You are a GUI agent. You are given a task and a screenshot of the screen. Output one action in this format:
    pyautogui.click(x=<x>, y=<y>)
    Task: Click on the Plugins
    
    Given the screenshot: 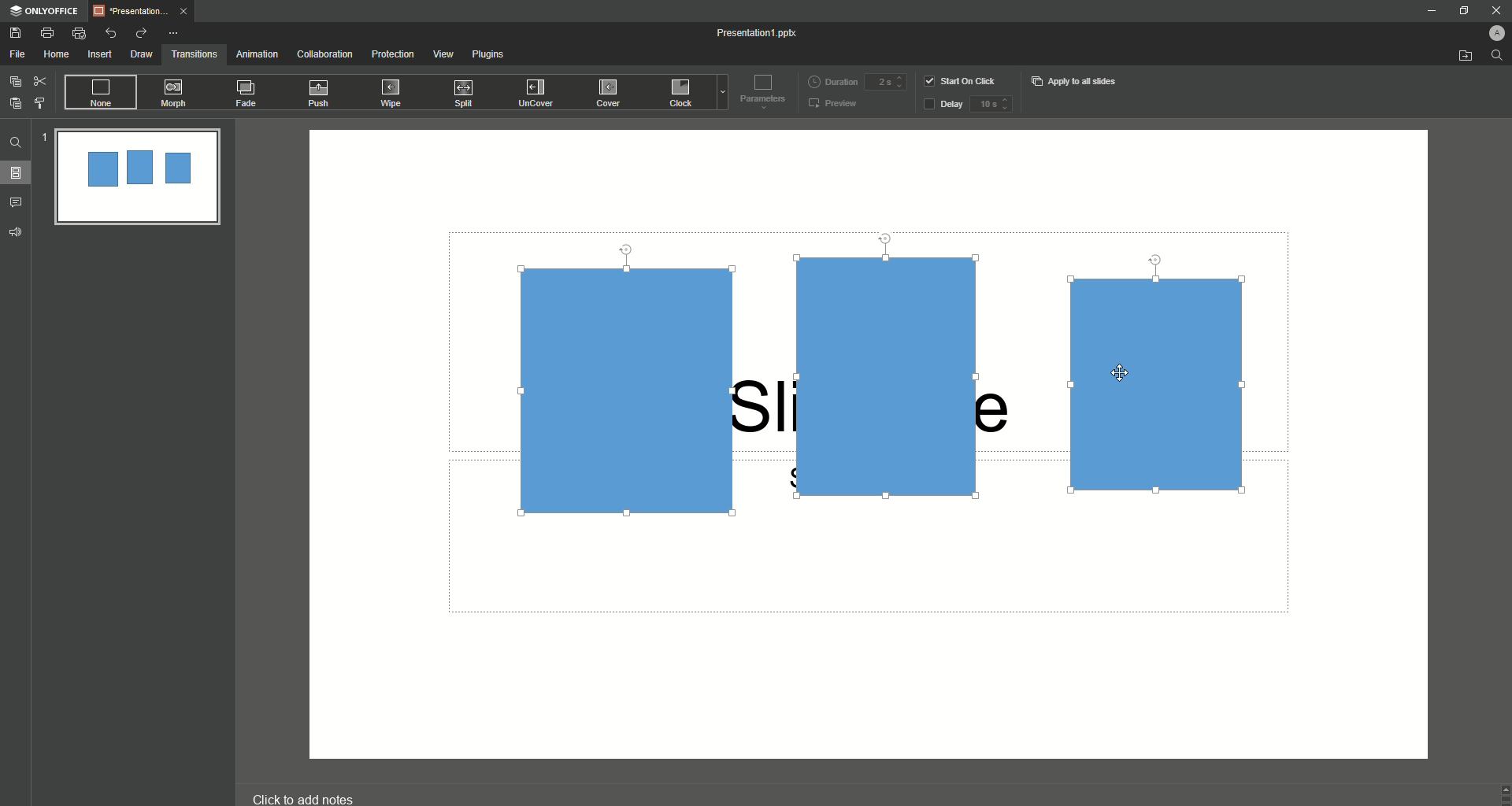 What is the action you would take?
    pyautogui.click(x=491, y=57)
    